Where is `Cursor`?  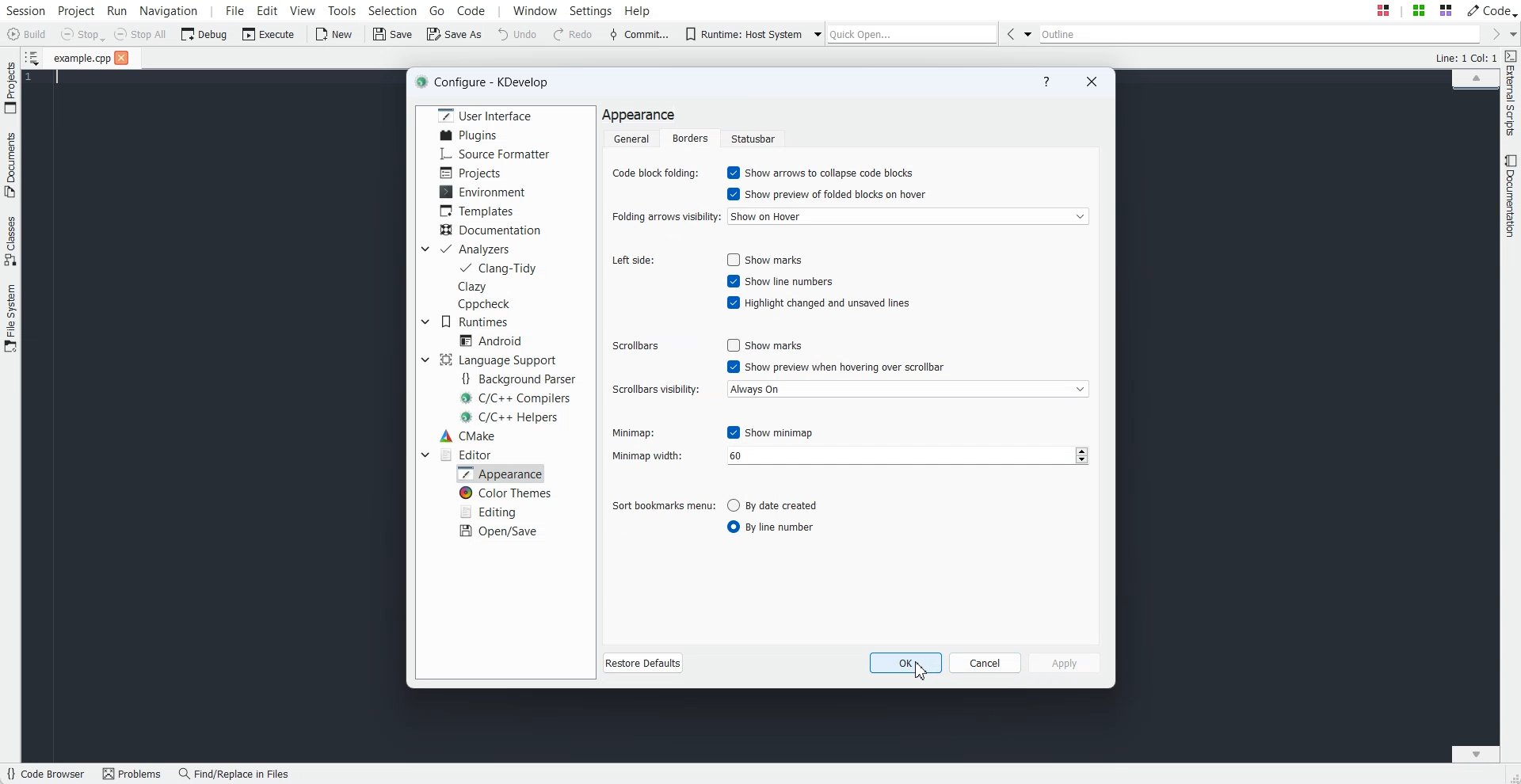 Cursor is located at coordinates (918, 671).